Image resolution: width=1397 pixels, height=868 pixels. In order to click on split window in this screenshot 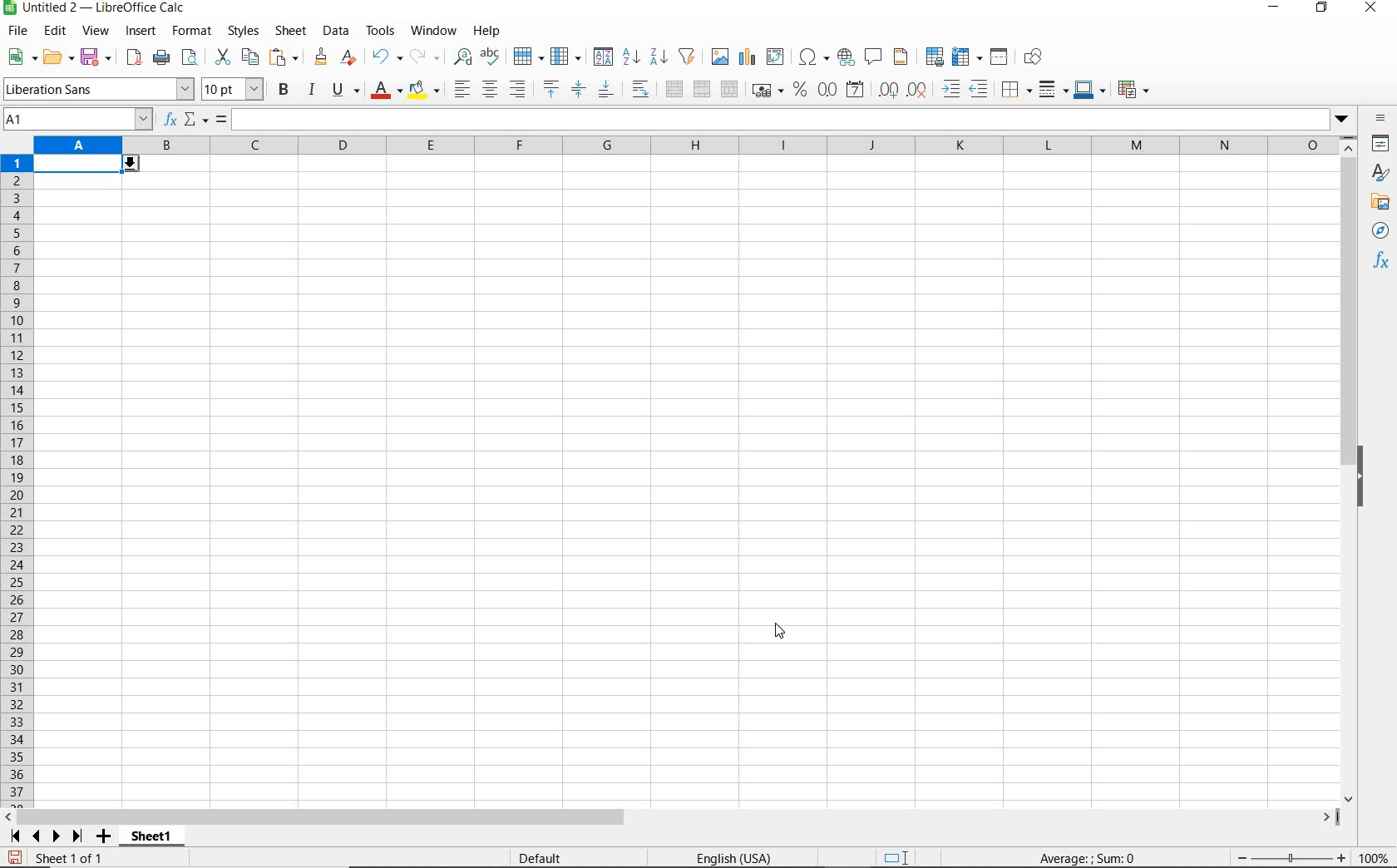, I will do `click(1000, 57)`.